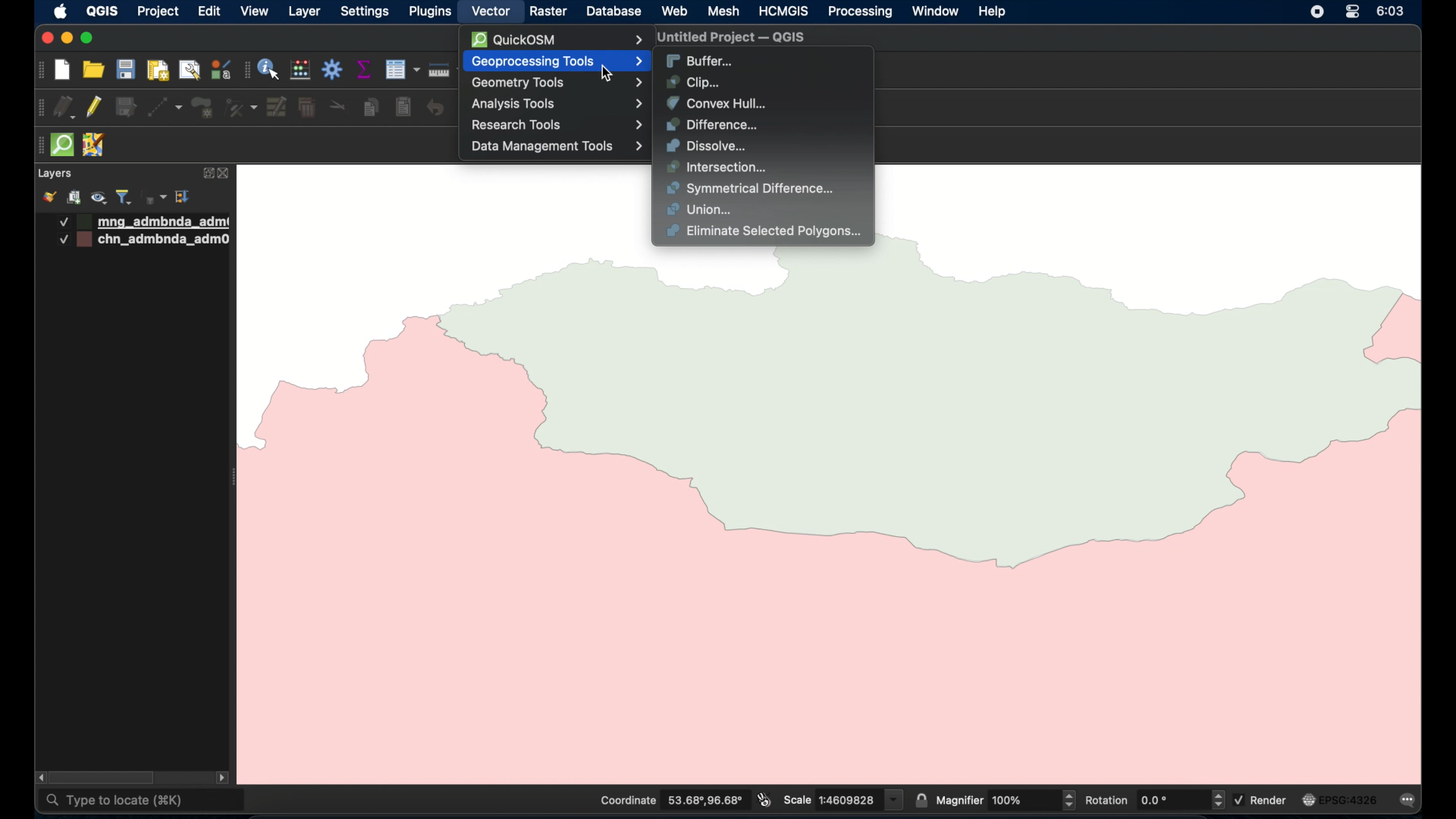 The image size is (1456, 819). Describe the element at coordinates (557, 146) in the screenshot. I see `data management tools menu` at that location.